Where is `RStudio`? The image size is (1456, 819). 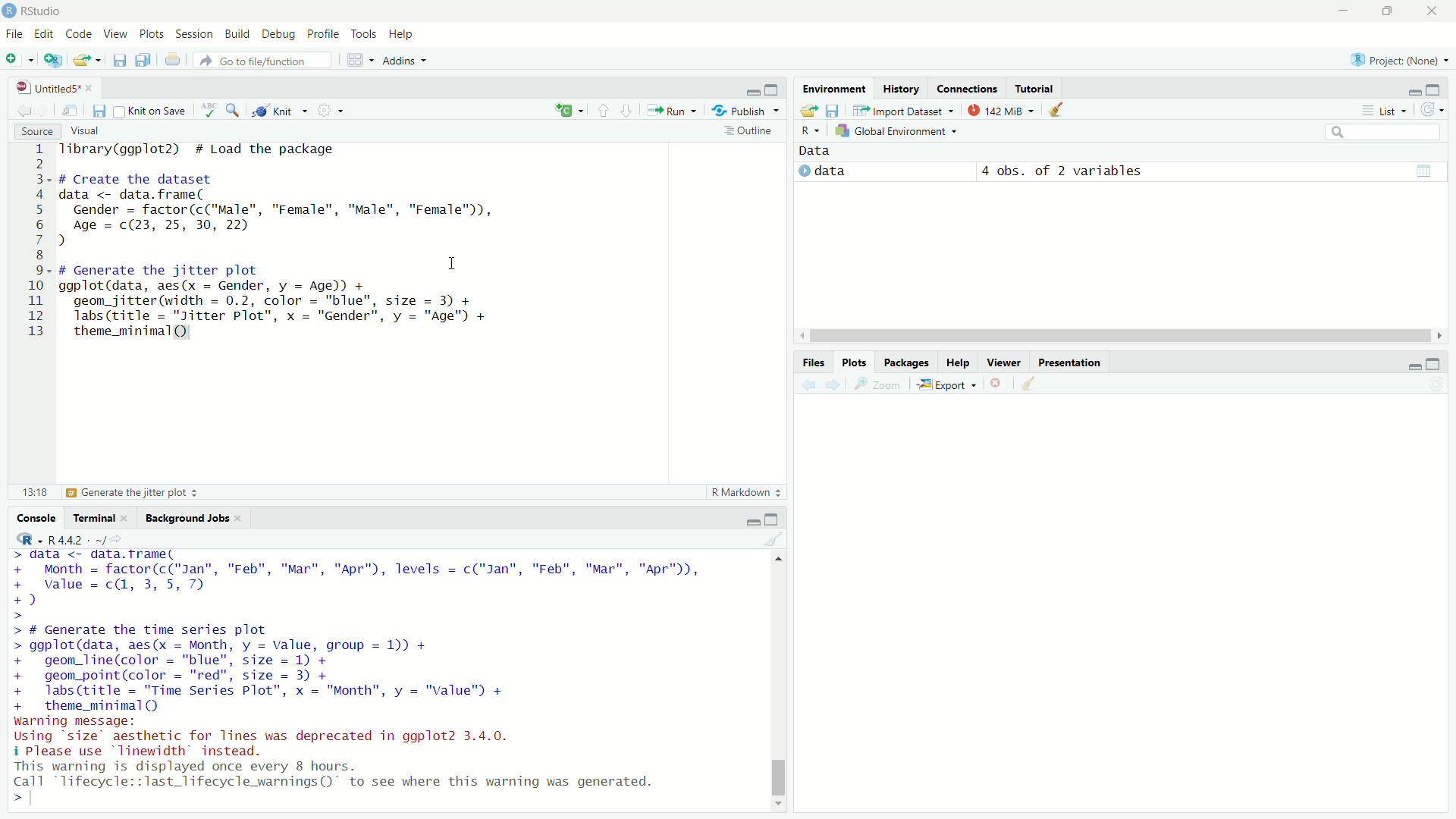
RStudio is located at coordinates (48, 11).